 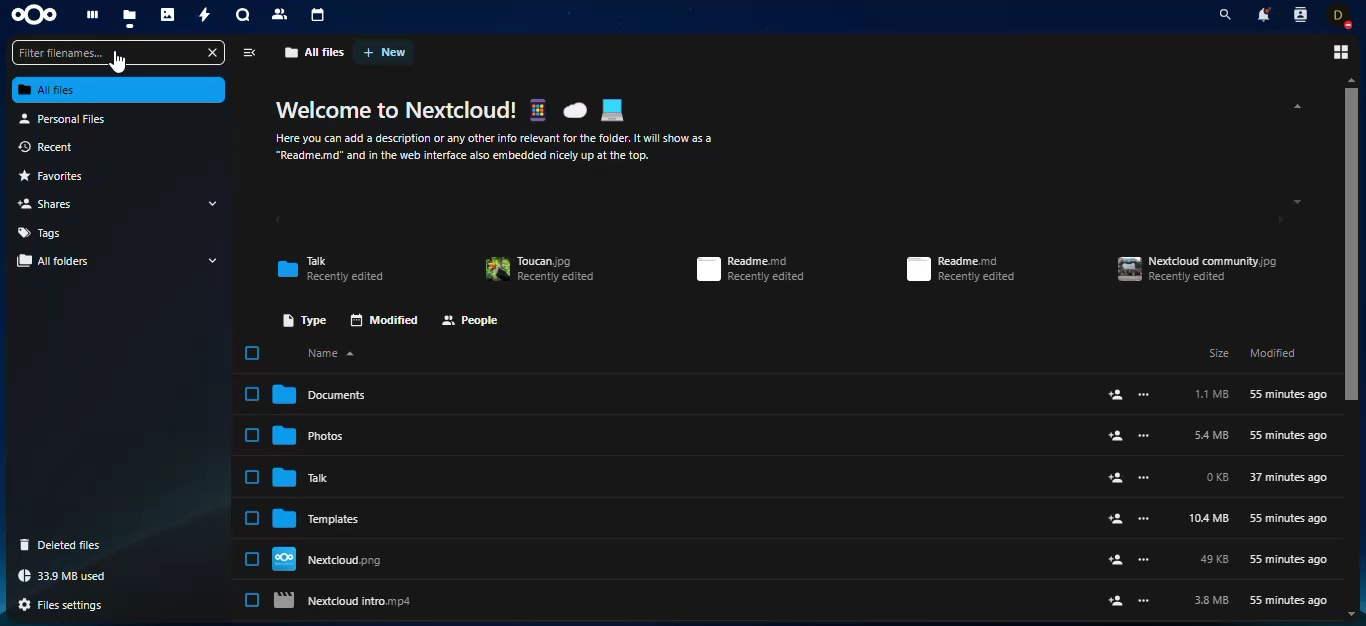 What do you see at coordinates (252, 559) in the screenshot?
I see `Click to select` at bounding box center [252, 559].